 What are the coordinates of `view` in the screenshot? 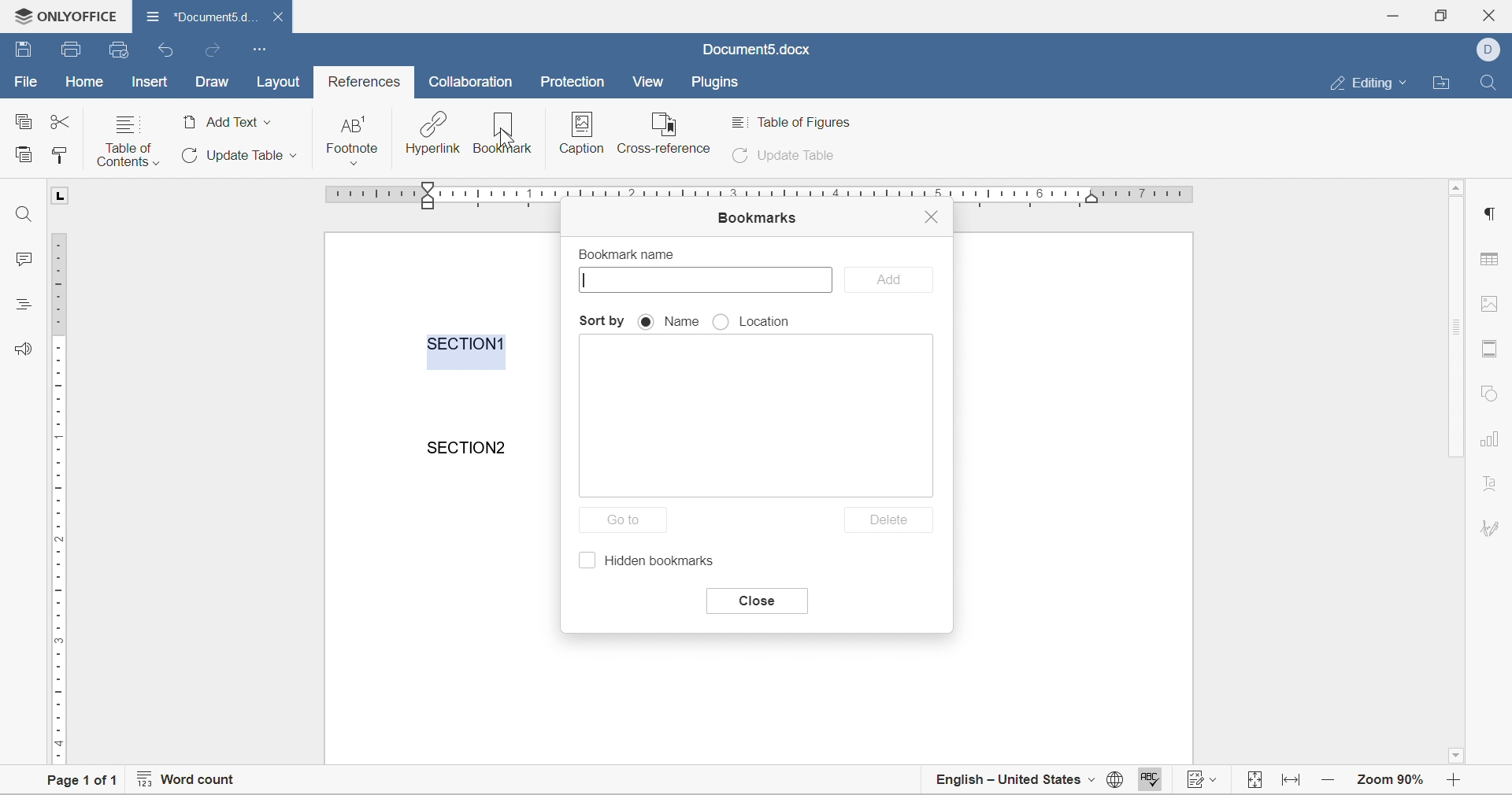 It's located at (649, 81).